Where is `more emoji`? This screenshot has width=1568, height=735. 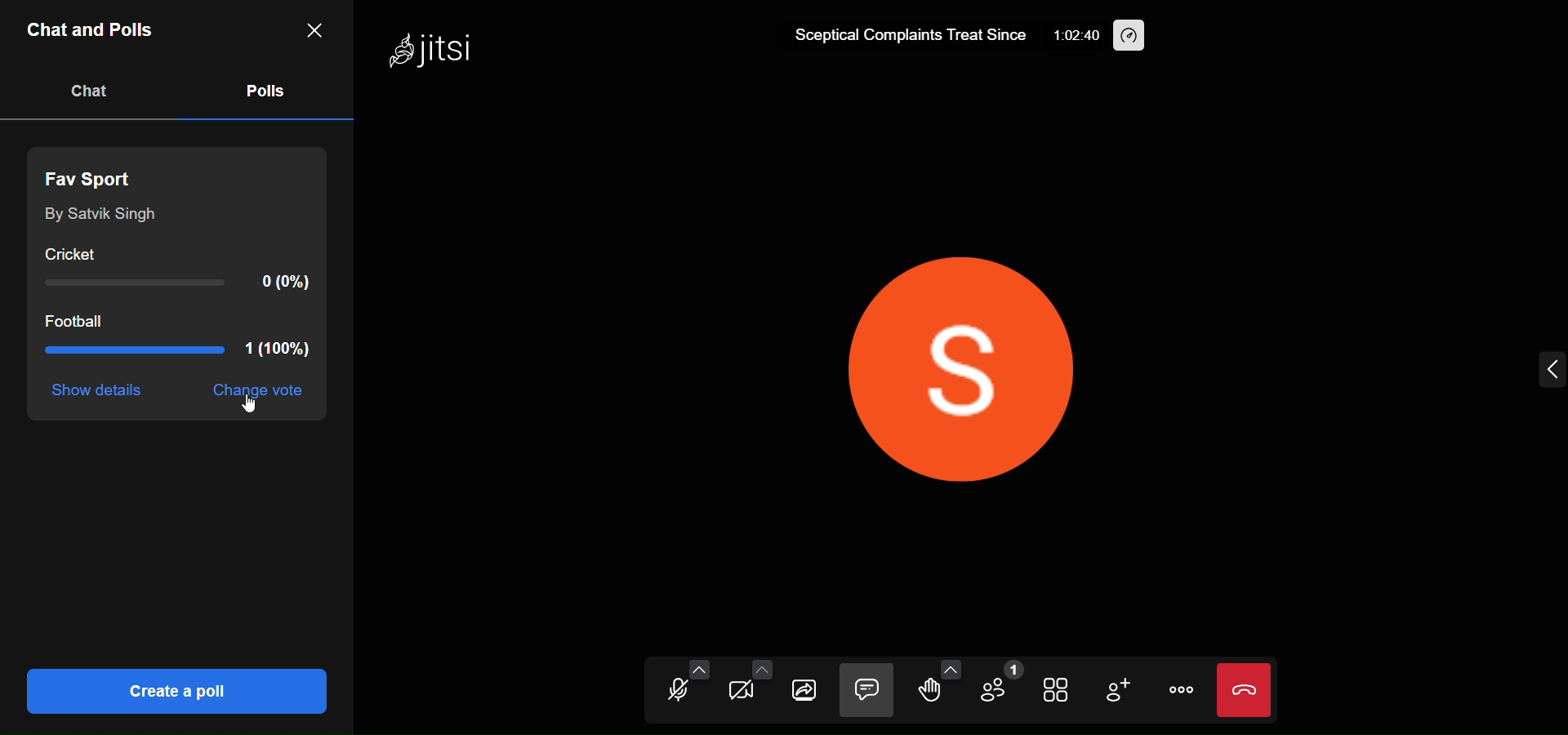
more emoji is located at coordinates (951, 668).